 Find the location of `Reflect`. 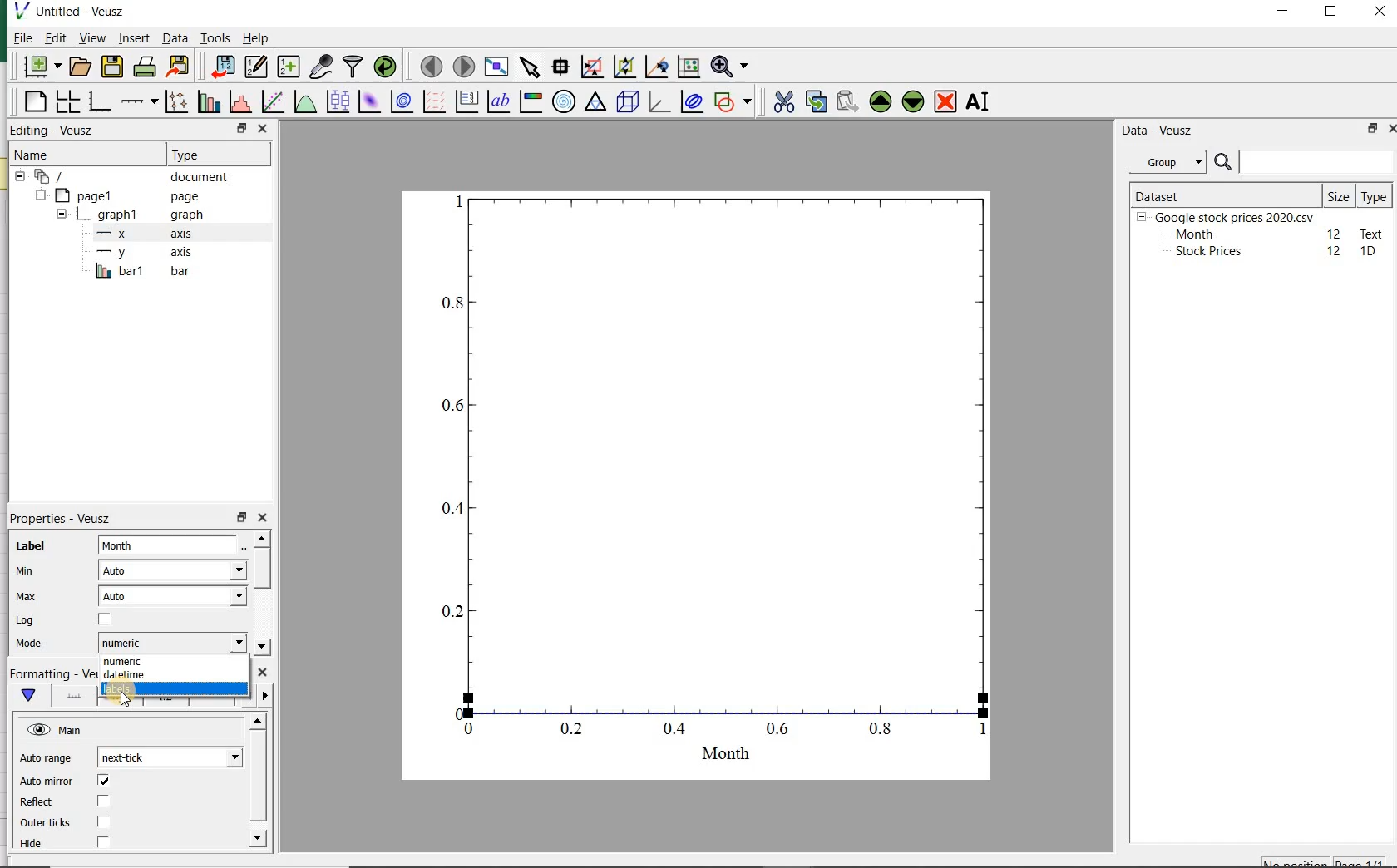

Reflect is located at coordinates (39, 802).